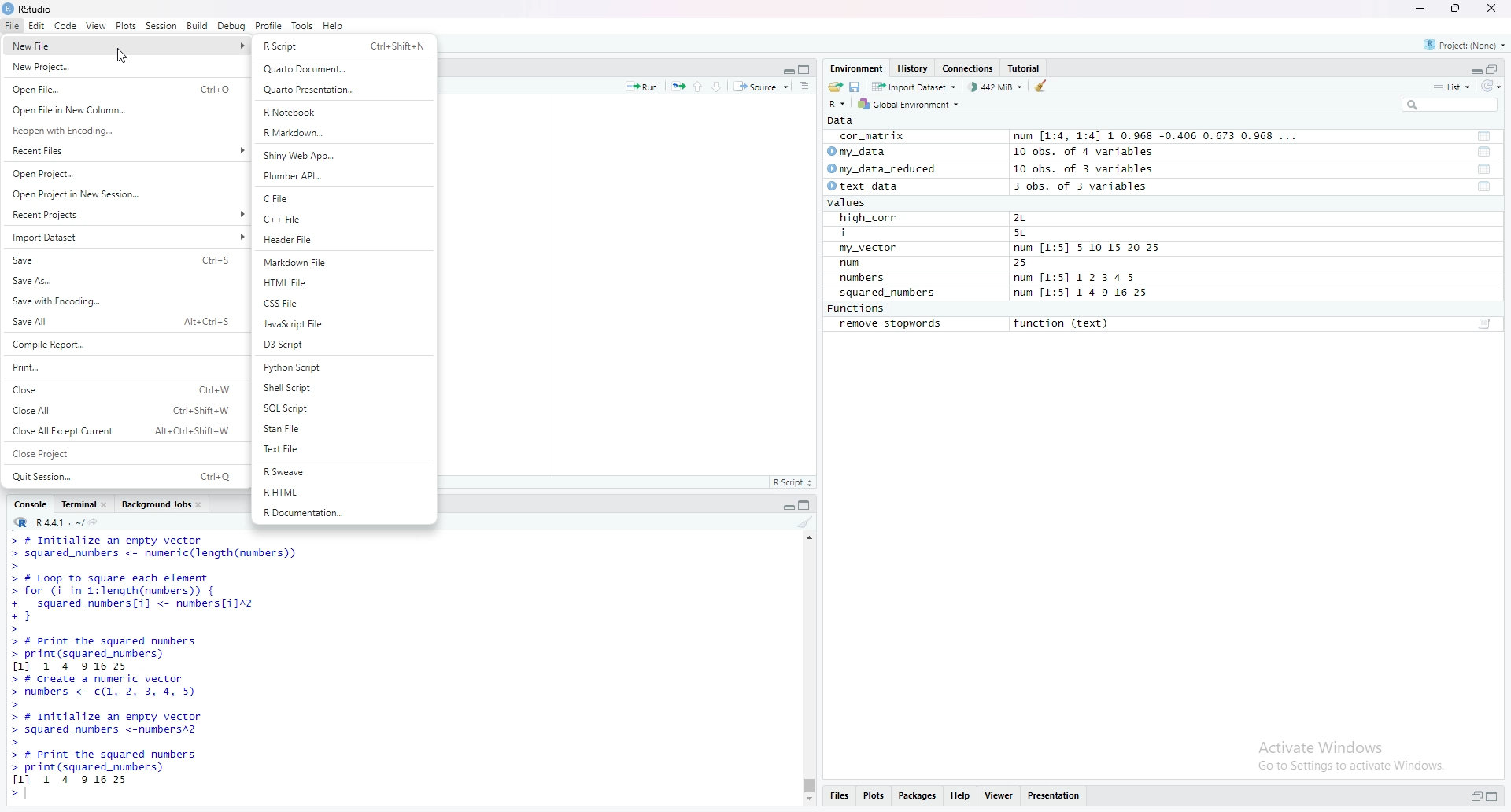 This screenshot has width=1511, height=812. Describe the element at coordinates (35, 25) in the screenshot. I see `Edit` at that location.